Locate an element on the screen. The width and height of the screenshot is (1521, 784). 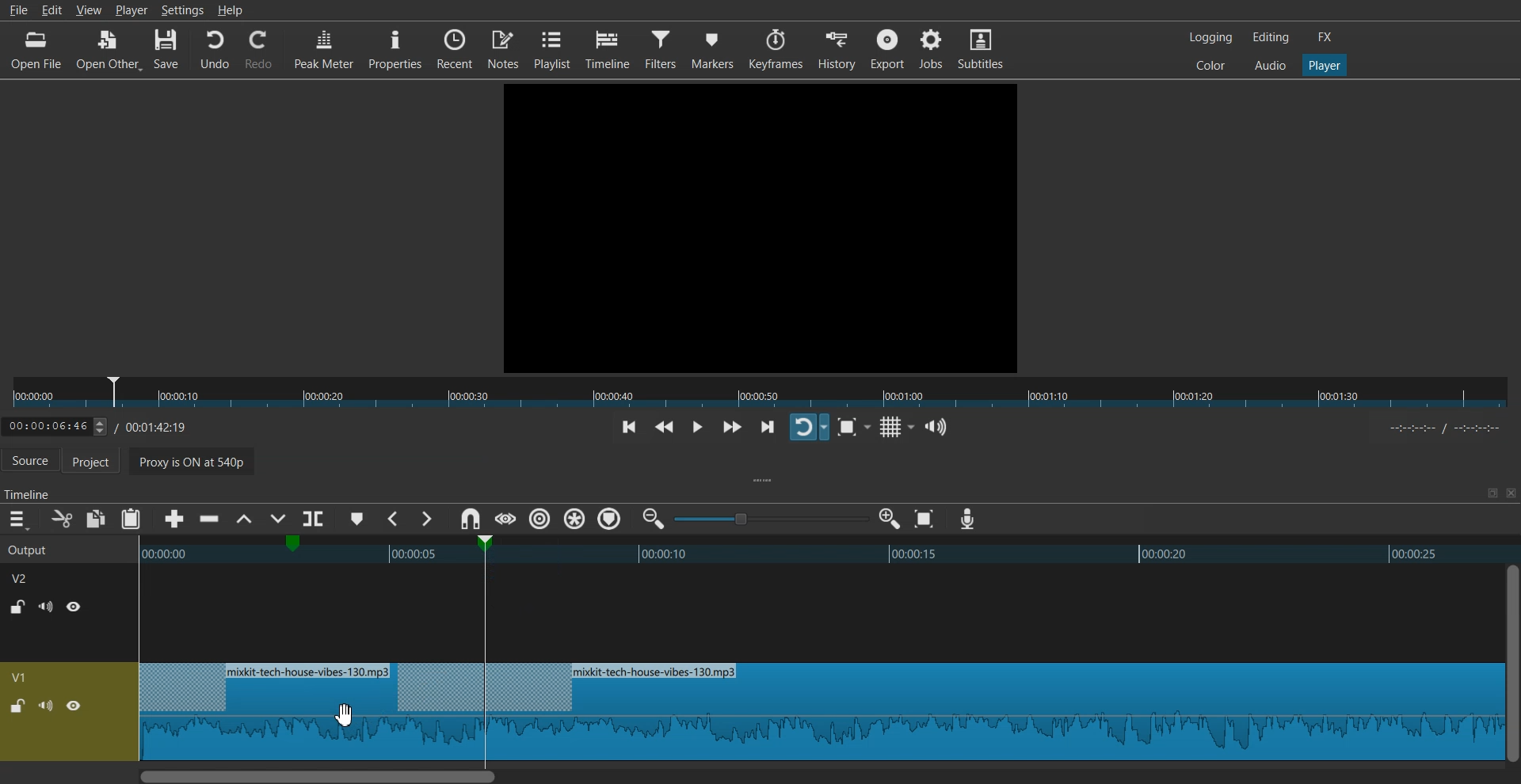
Toggle play or pause is located at coordinates (696, 428).